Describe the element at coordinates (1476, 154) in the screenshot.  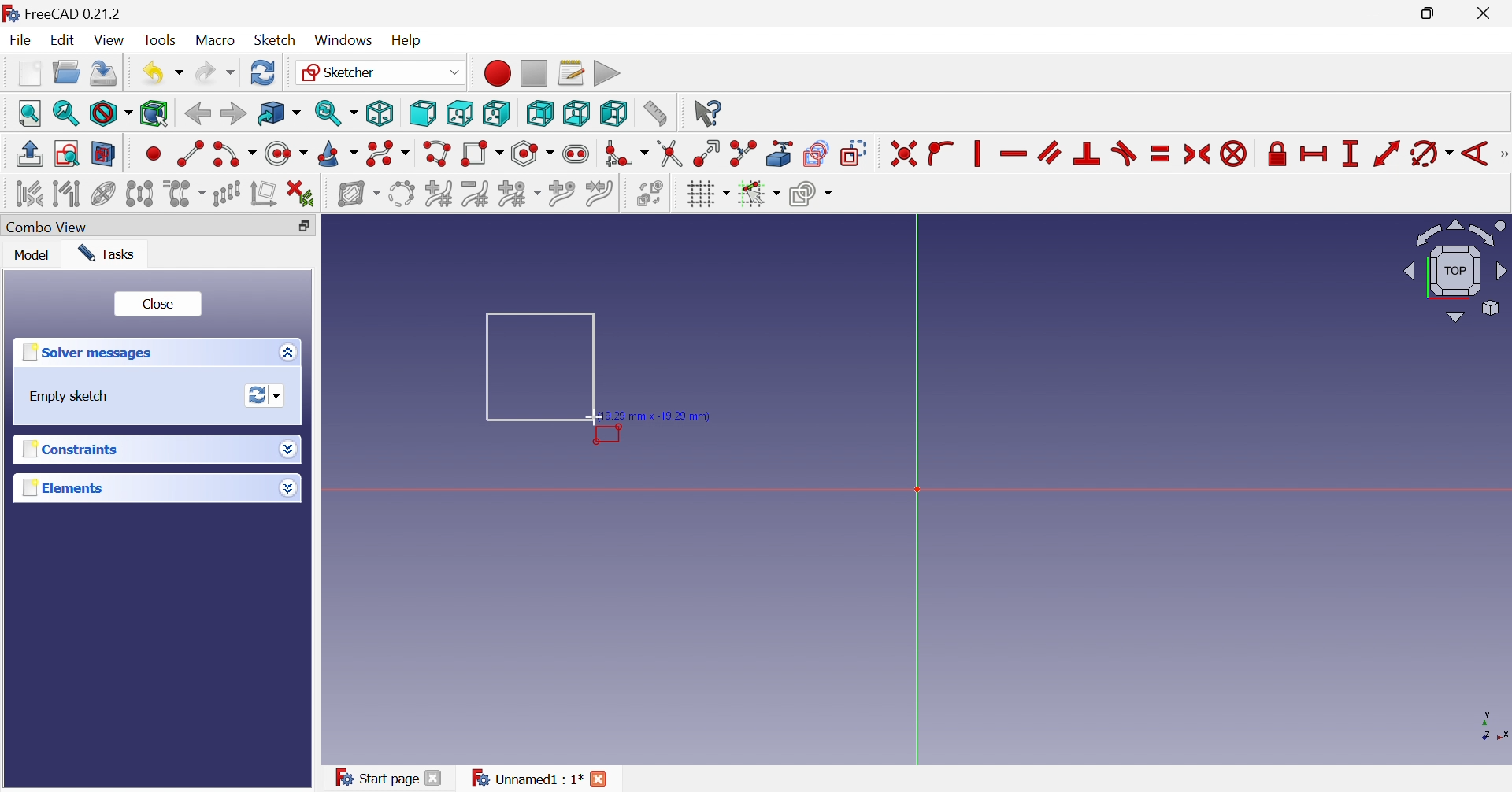
I see `Constrain angle` at that location.